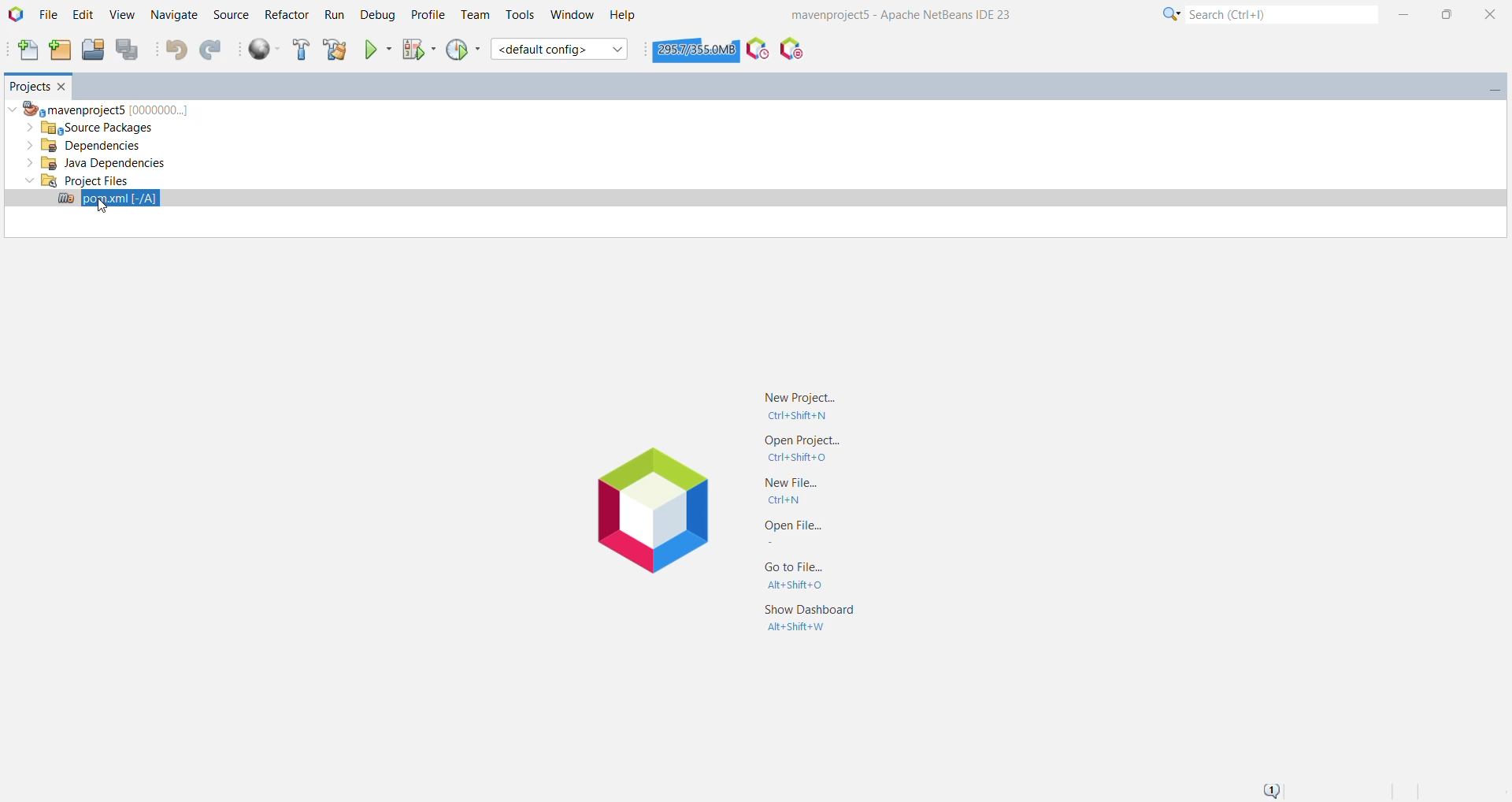 This screenshot has width=1512, height=802. Describe the element at coordinates (300, 50) in the screenshot. I see `Build Project` at that location.